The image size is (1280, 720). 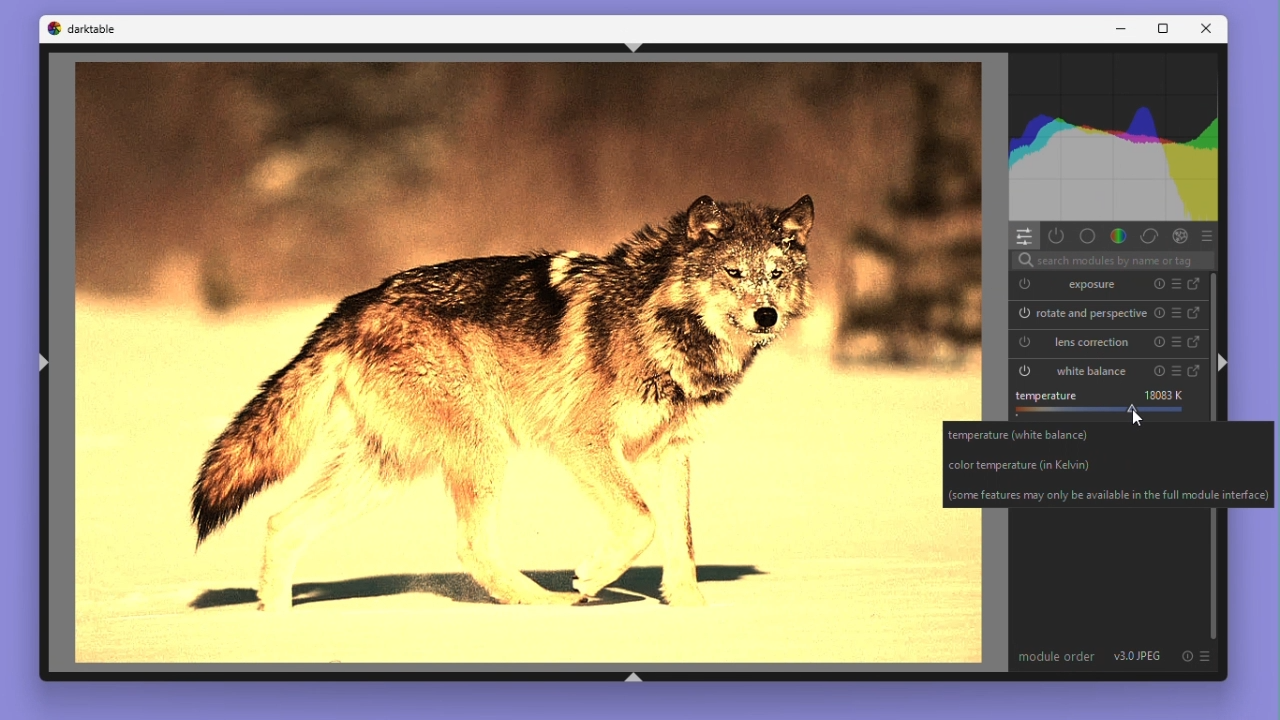 What do you see at coordinates (1119, 236) in the screenshot?
I see `Colour` at bounding box center [1119, 236].